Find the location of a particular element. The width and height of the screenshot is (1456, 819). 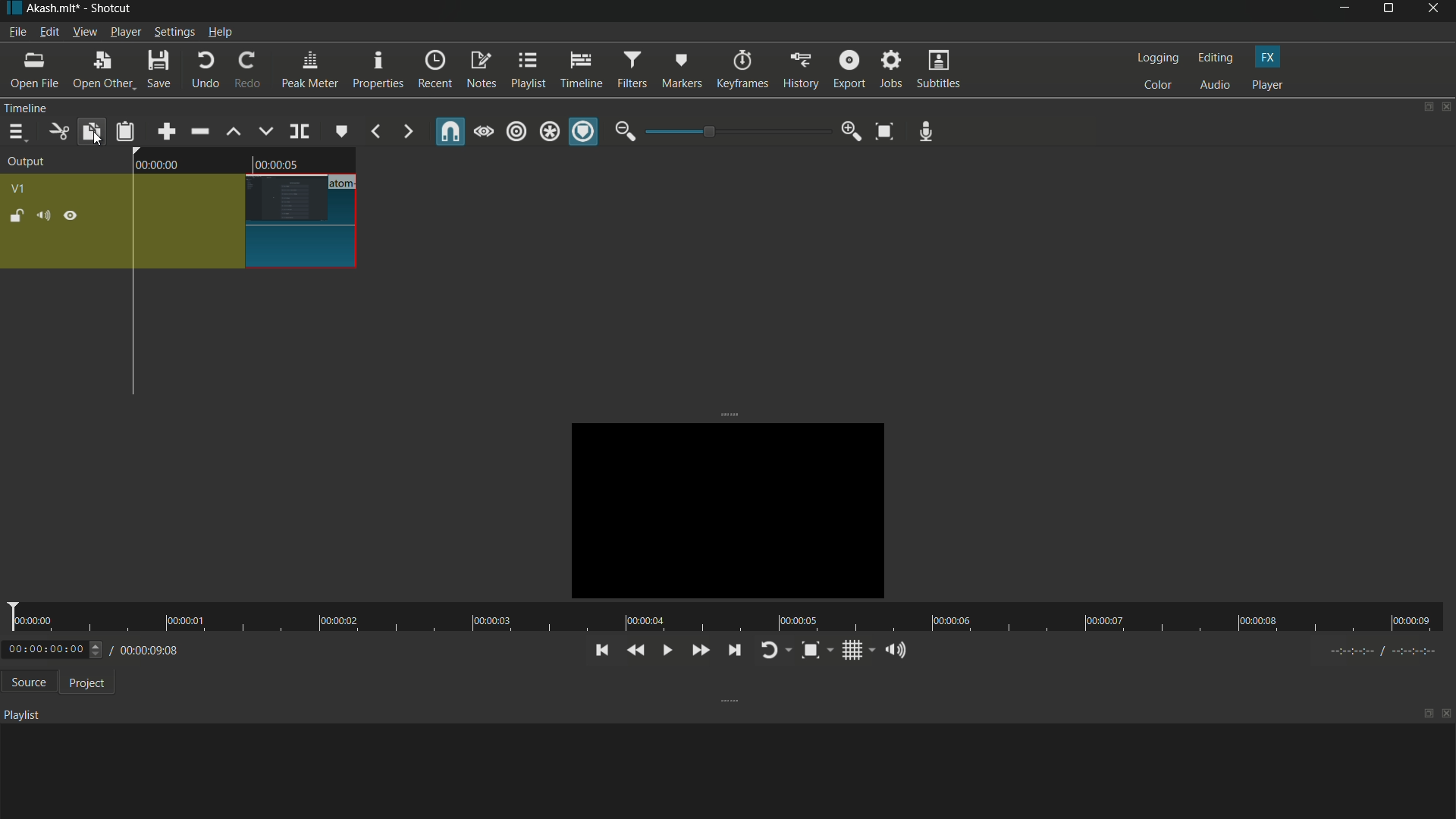

copy is located at coordinates (90, 131).